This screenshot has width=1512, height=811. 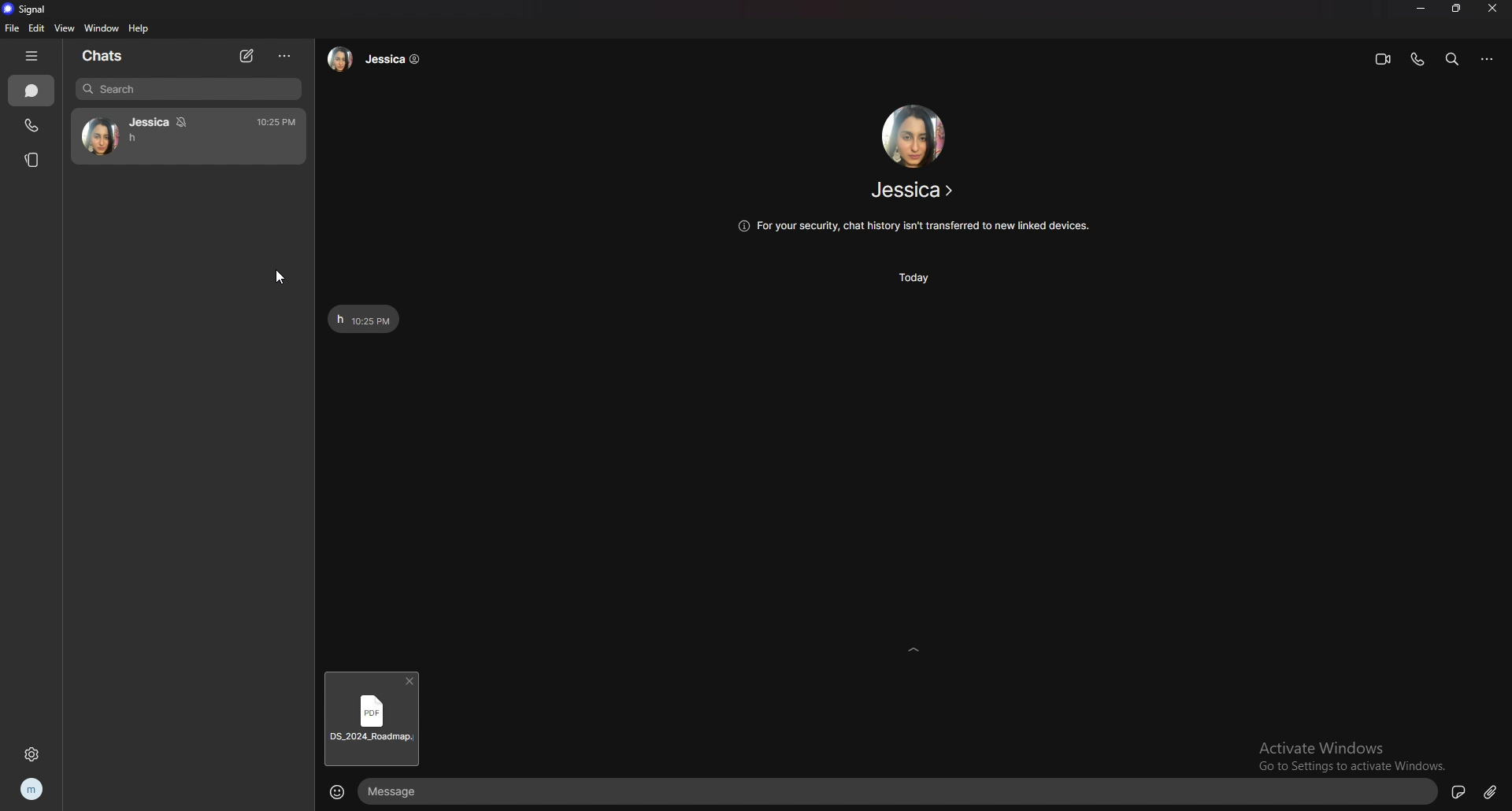 I want to click on settings, so click(x=33, y=754).